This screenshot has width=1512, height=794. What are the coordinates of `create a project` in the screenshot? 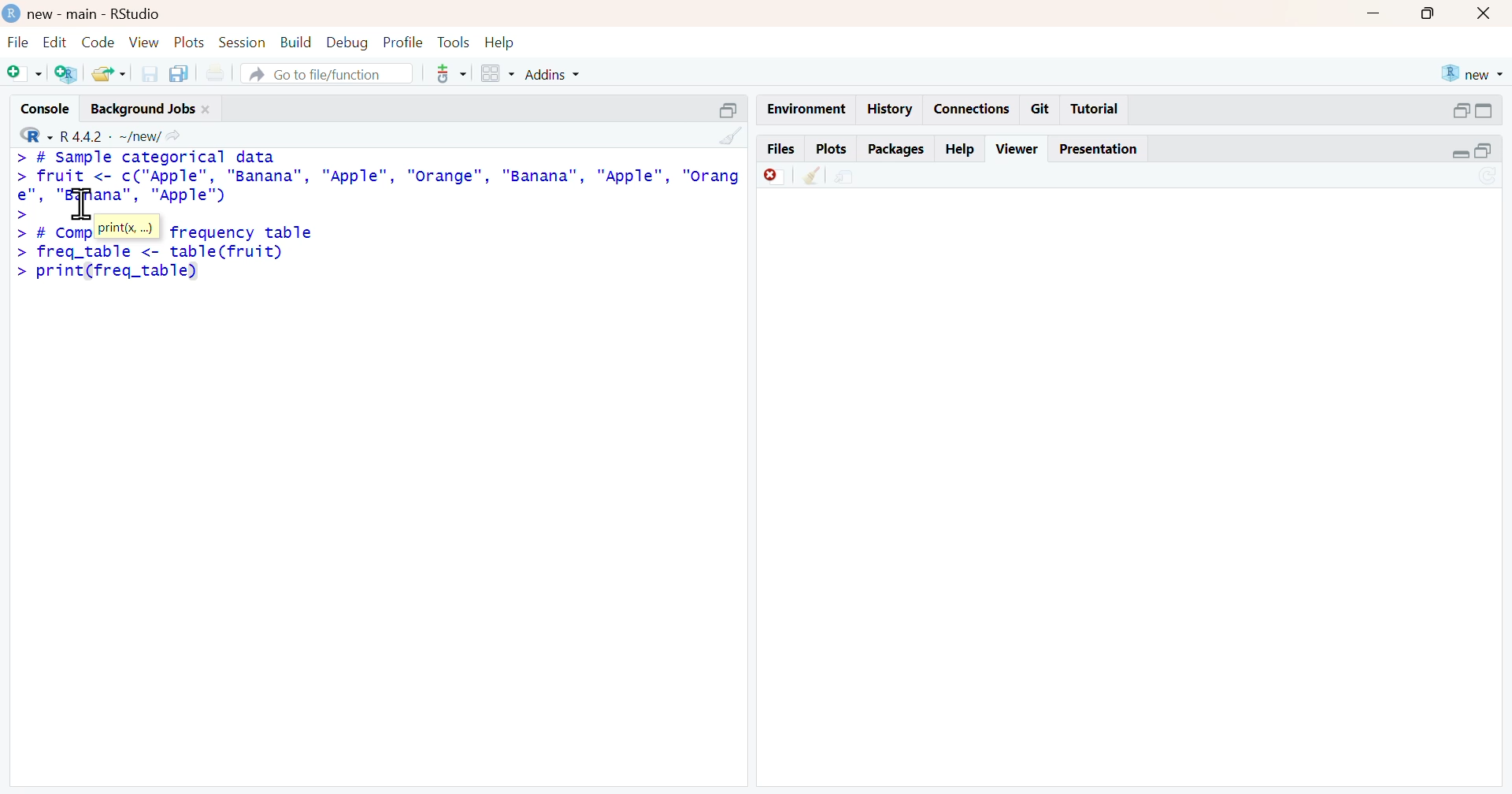 It's located at (69, 74).